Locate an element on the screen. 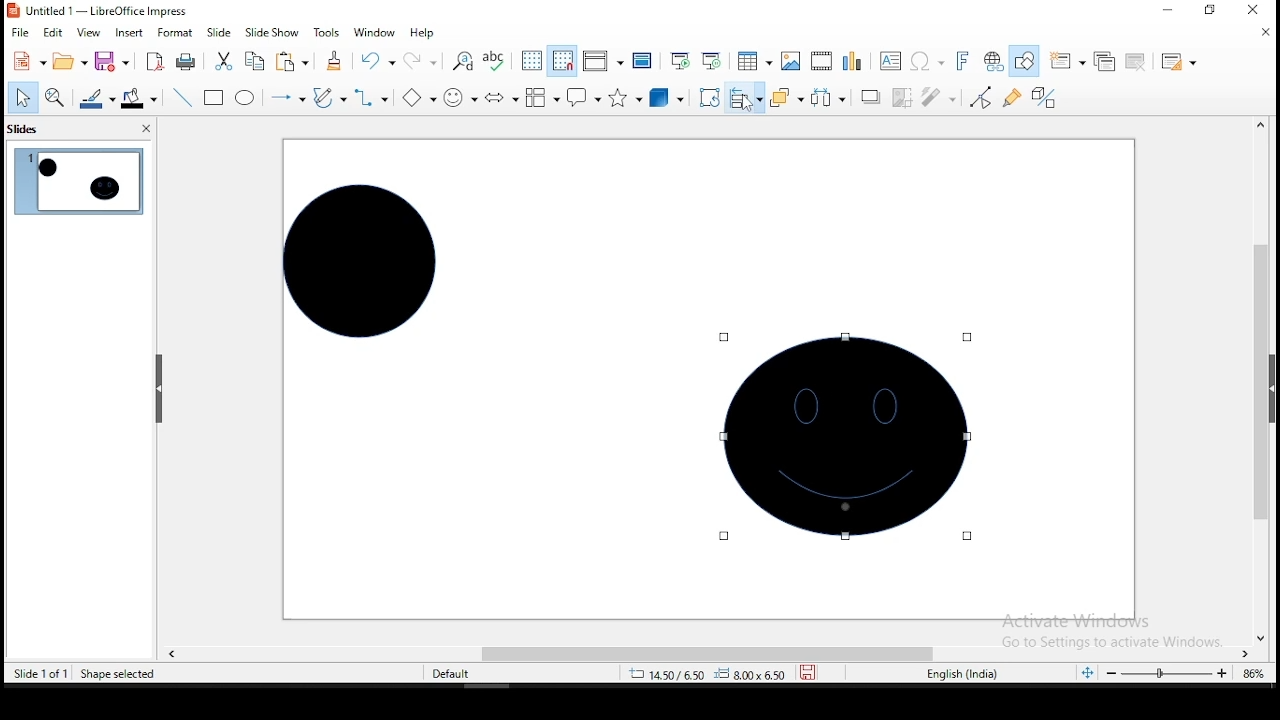  insert special characters is located at coordinates (928, 61).